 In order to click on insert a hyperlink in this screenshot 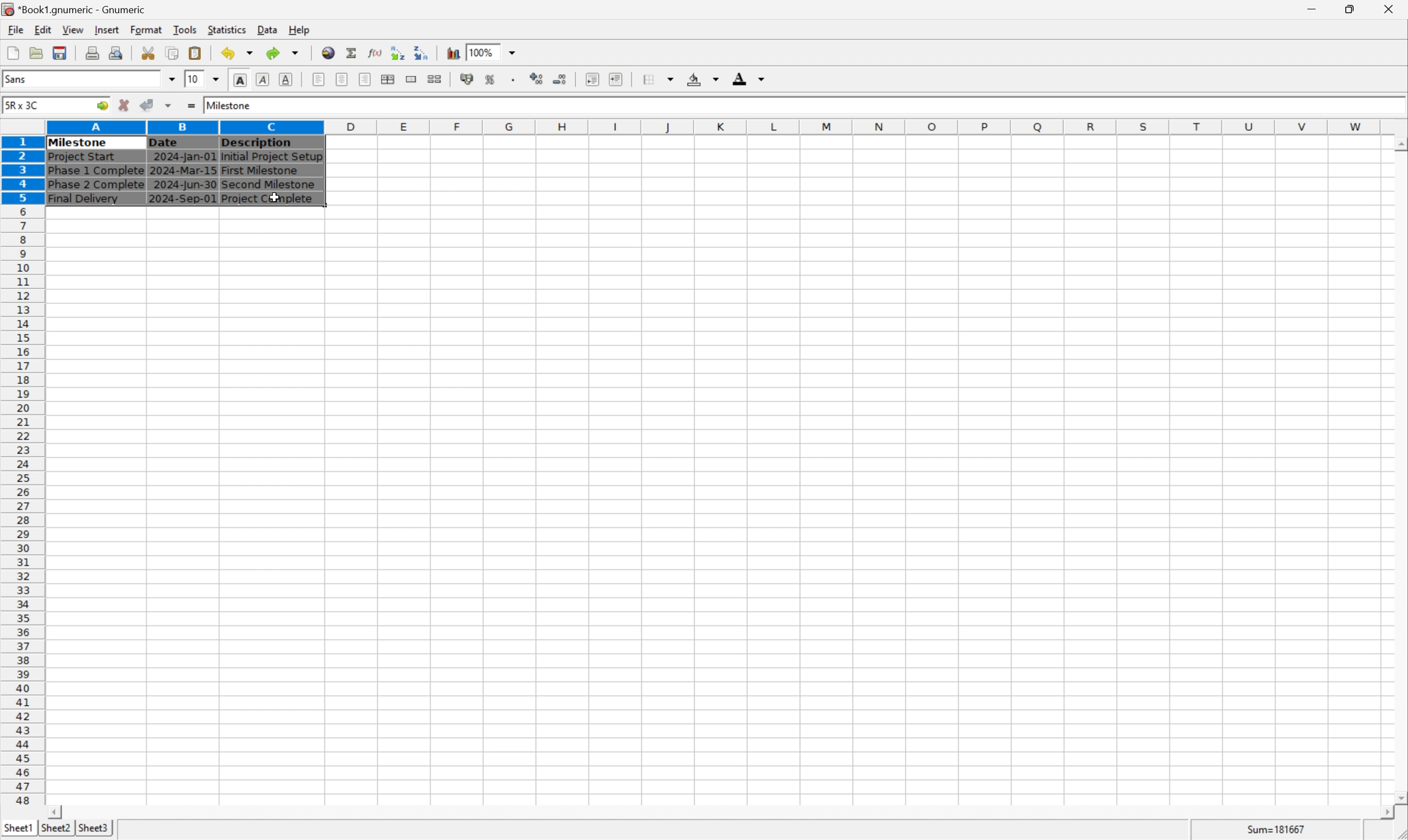, I will do `click(329, 53)`.